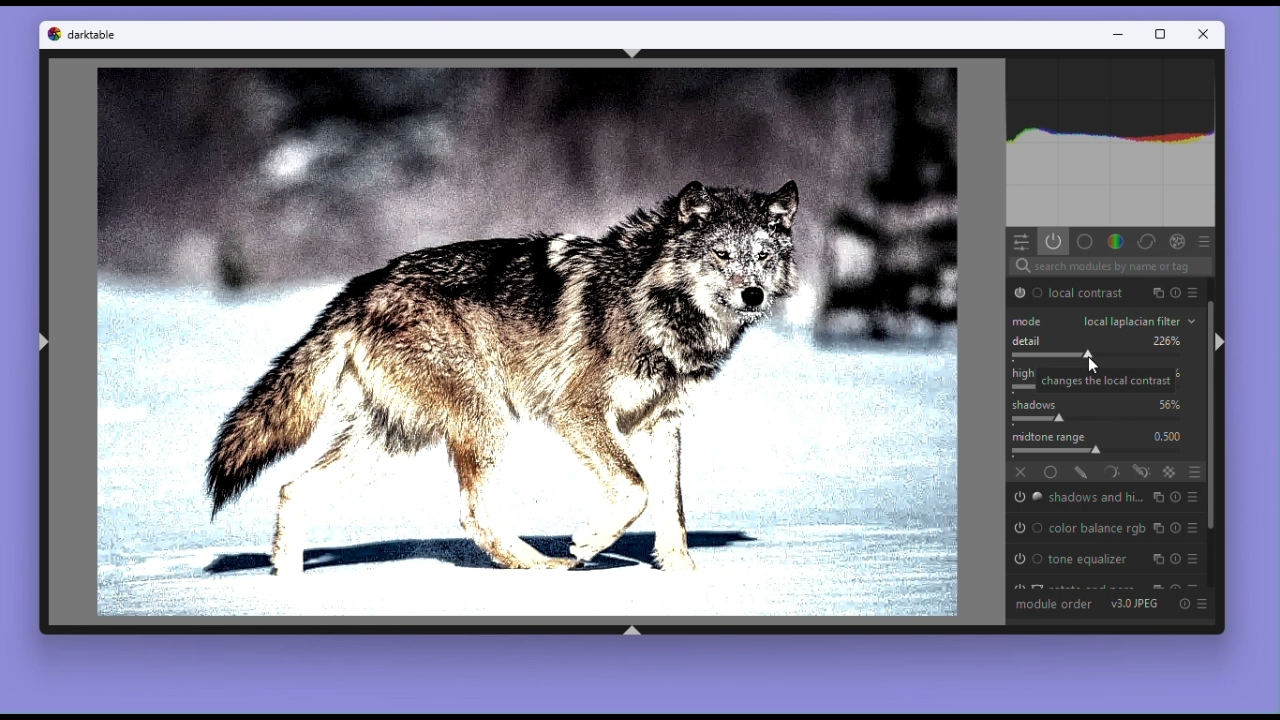  What do you see at coordinates (44, 341) in the screenshot?
I see `shift+ctrl+l` at bounding box center [44, 341].